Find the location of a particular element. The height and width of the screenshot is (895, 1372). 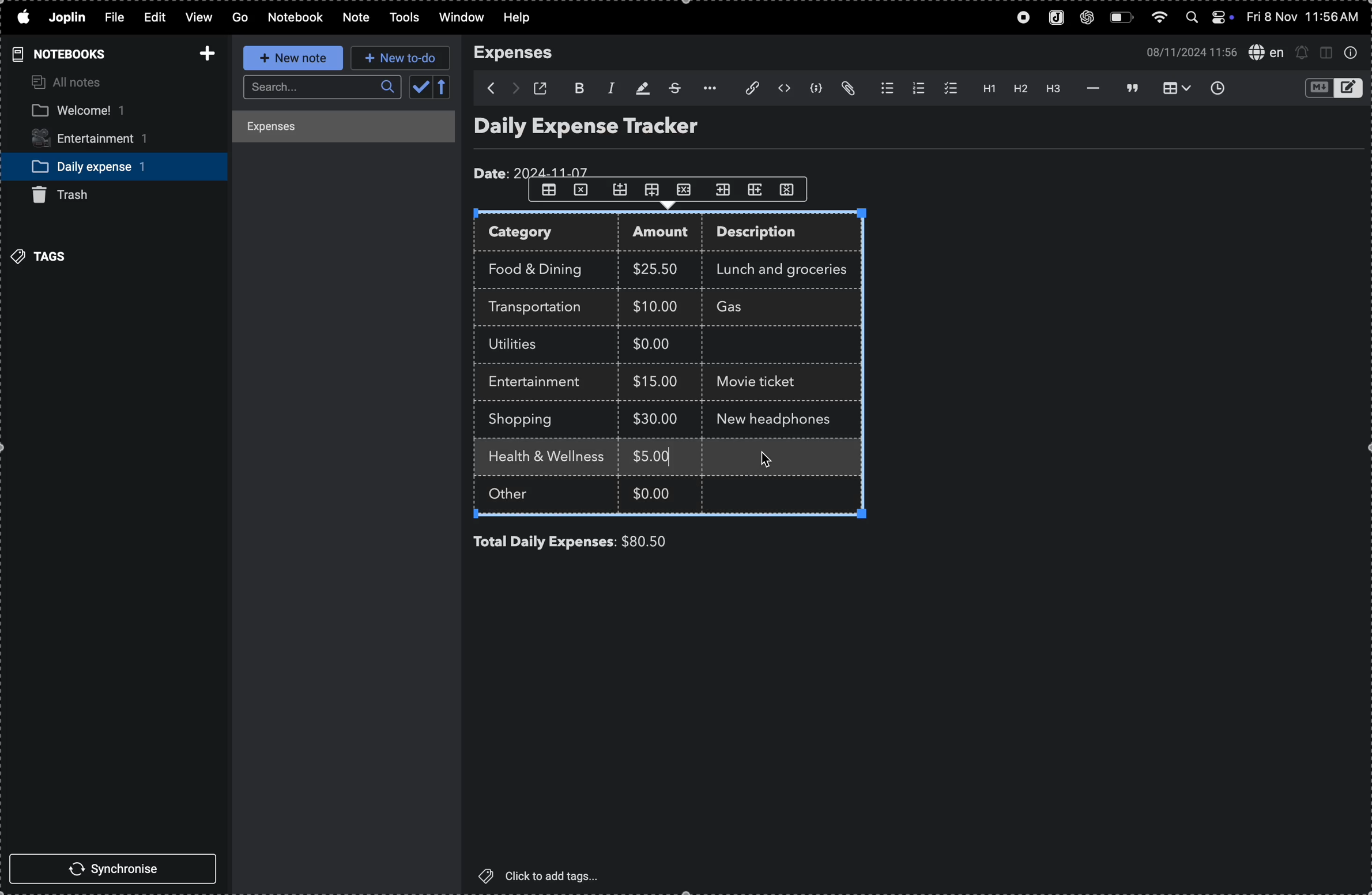

blockquote is located at coordinates (1129, 88).